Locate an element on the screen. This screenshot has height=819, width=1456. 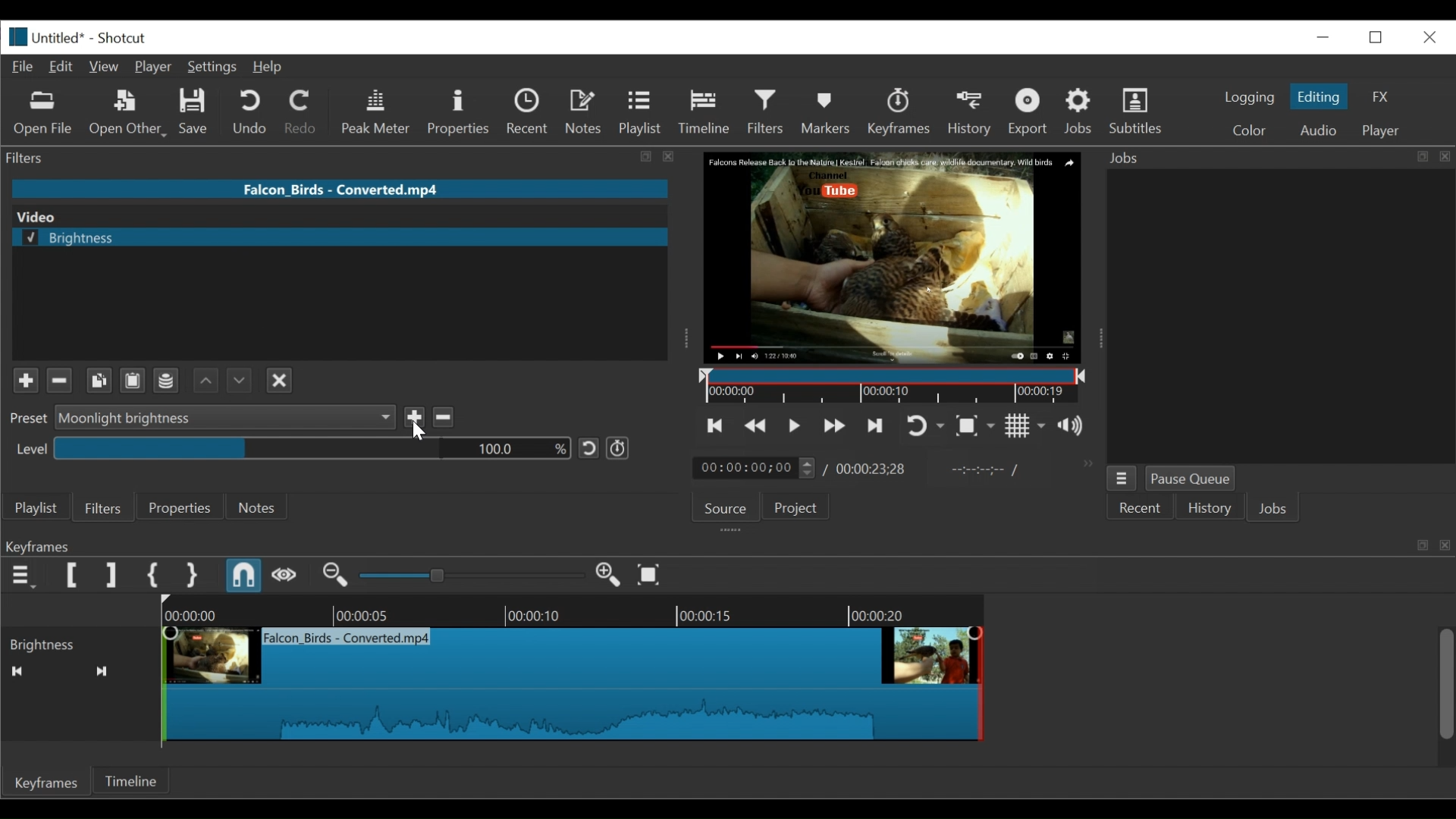
Forward is located at coordinates (240, 378).